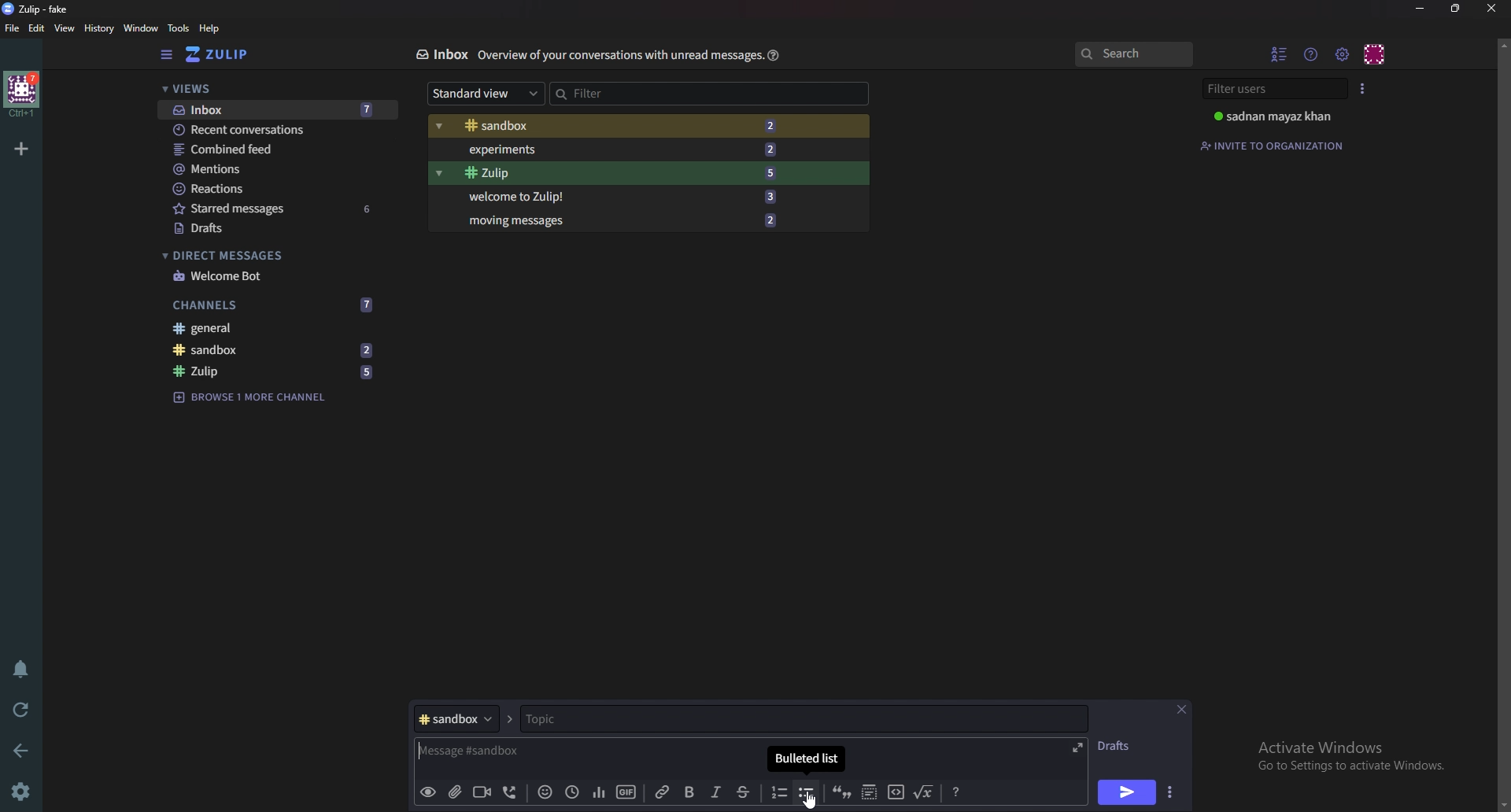 Image resolution: width=1511 pixels, height=812 pixels. Describe the element at coordinates (513, 792) in the screenshot. I see `Voice call` at that location.